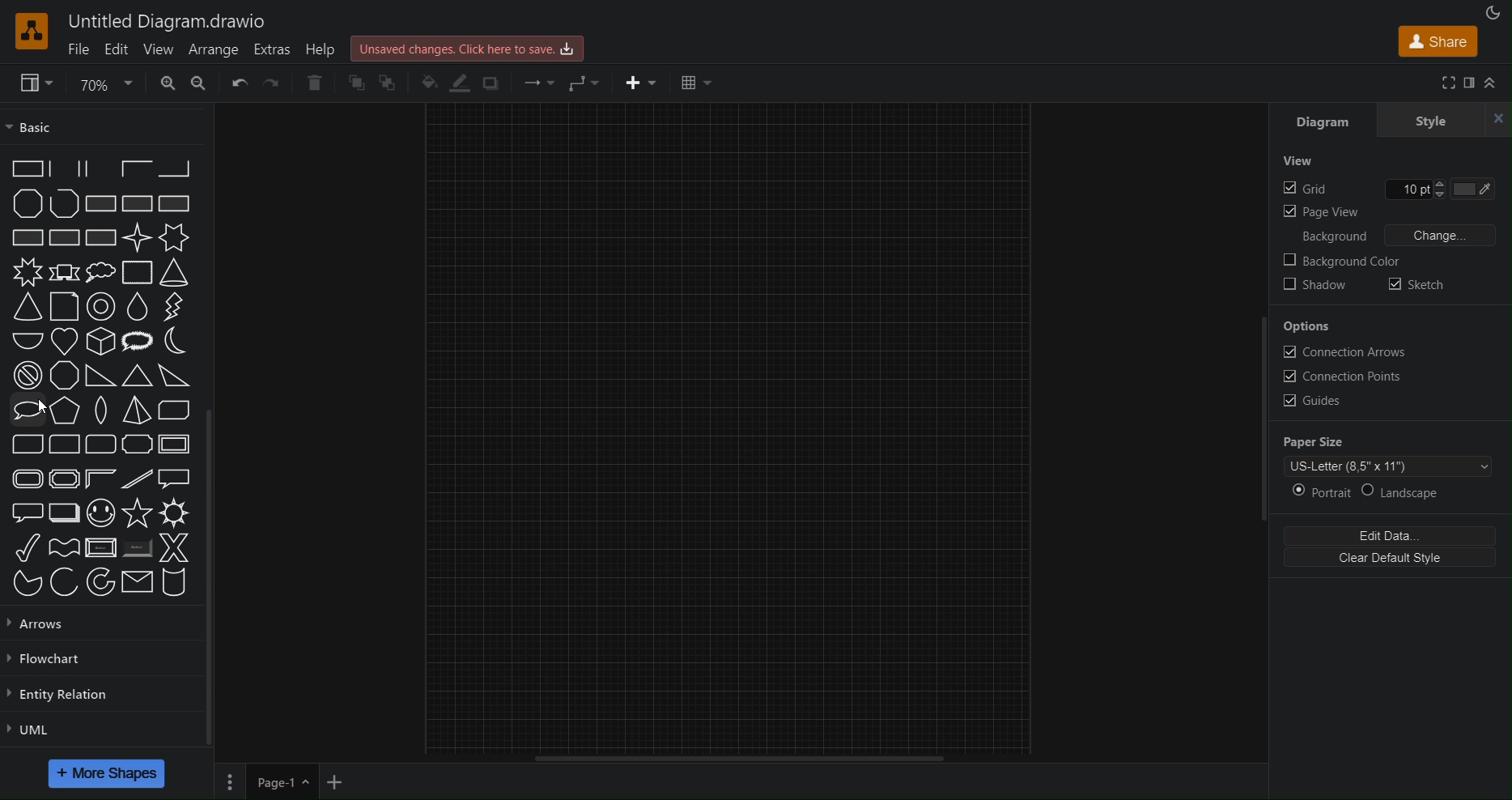 Image resolution: width=1512 pixels, height=800 pixels. I want to click on Rounded Rectangular Callout, so click(25, 512).